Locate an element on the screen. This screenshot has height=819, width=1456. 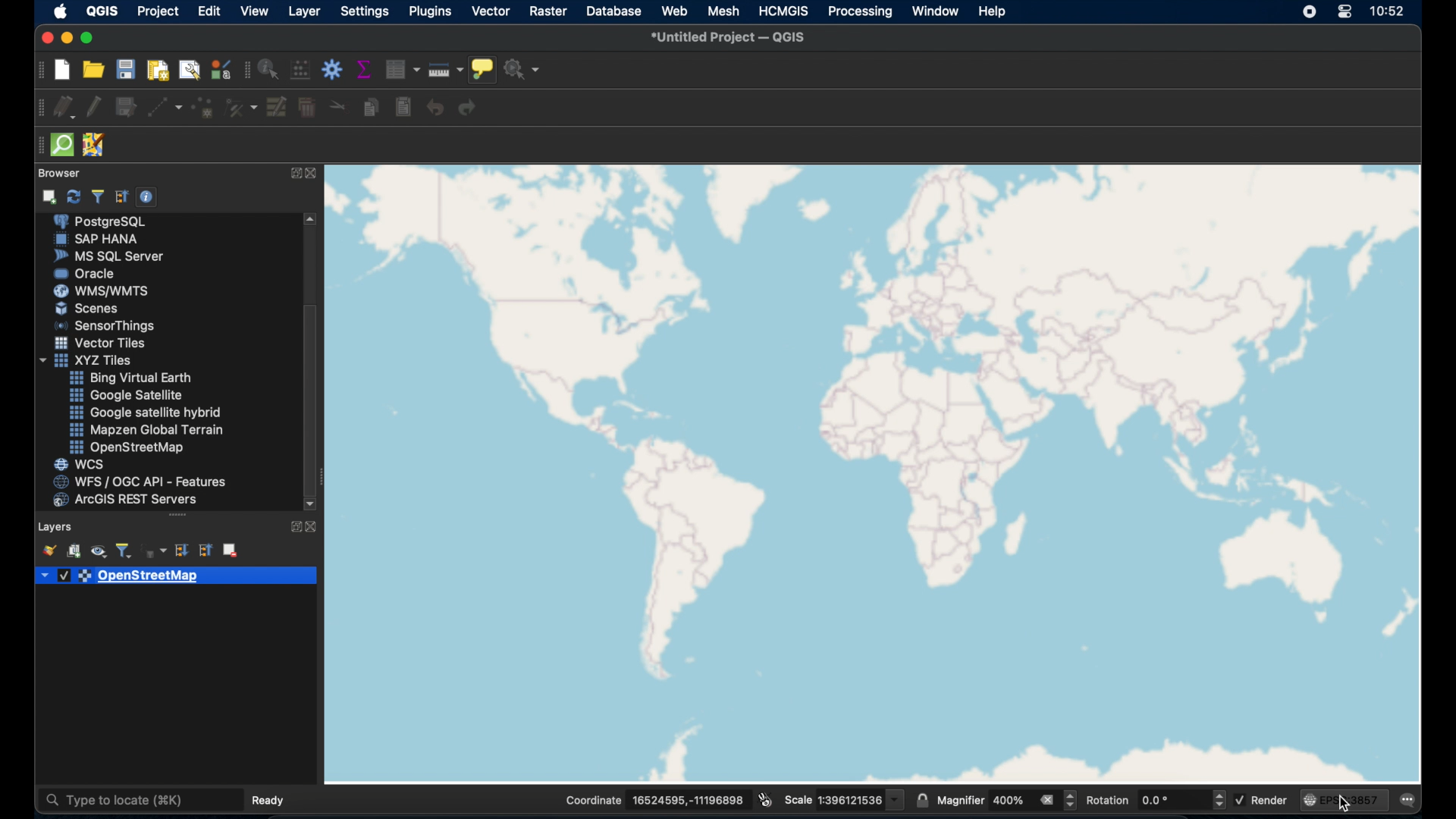
was/wmts is located at coordinates (103, 292).